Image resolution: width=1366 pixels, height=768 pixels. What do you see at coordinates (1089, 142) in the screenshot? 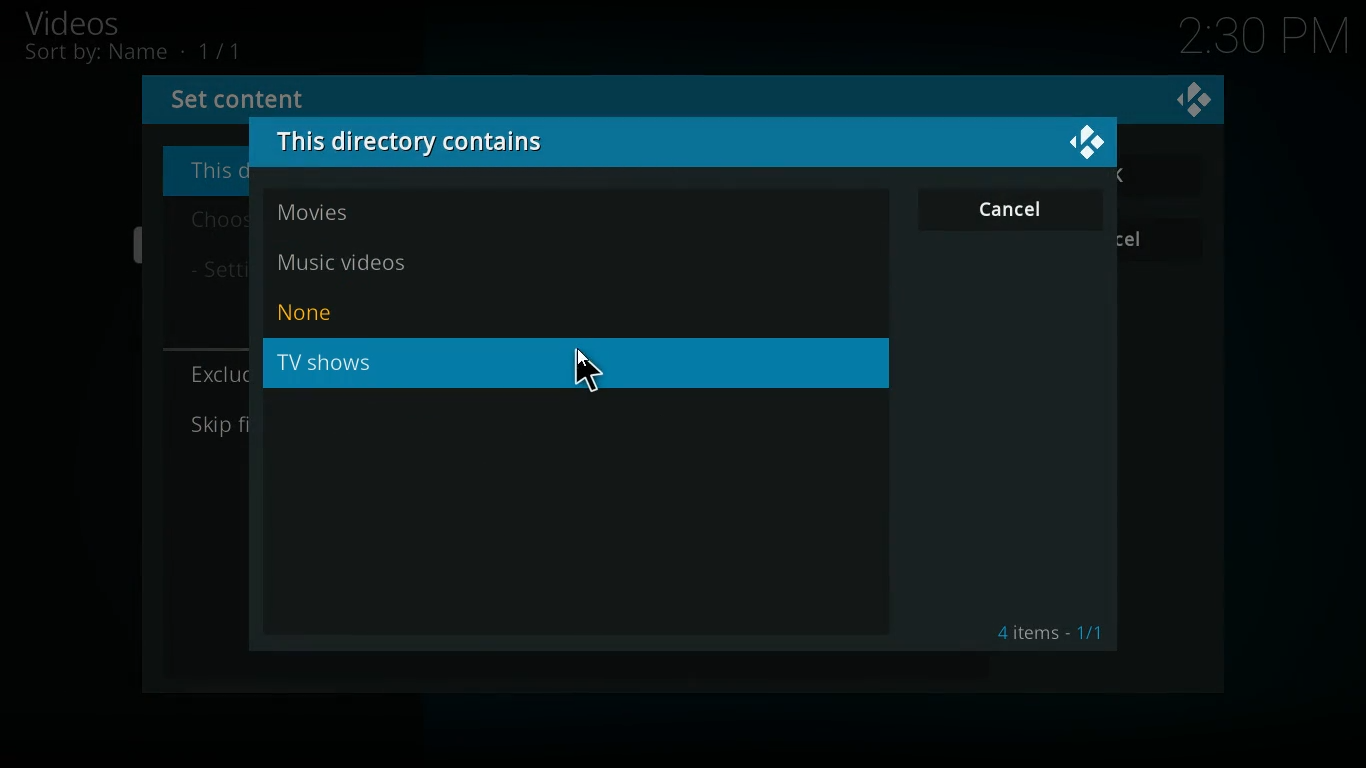
I see `kodi logo` at bounding box center [1089, 142].